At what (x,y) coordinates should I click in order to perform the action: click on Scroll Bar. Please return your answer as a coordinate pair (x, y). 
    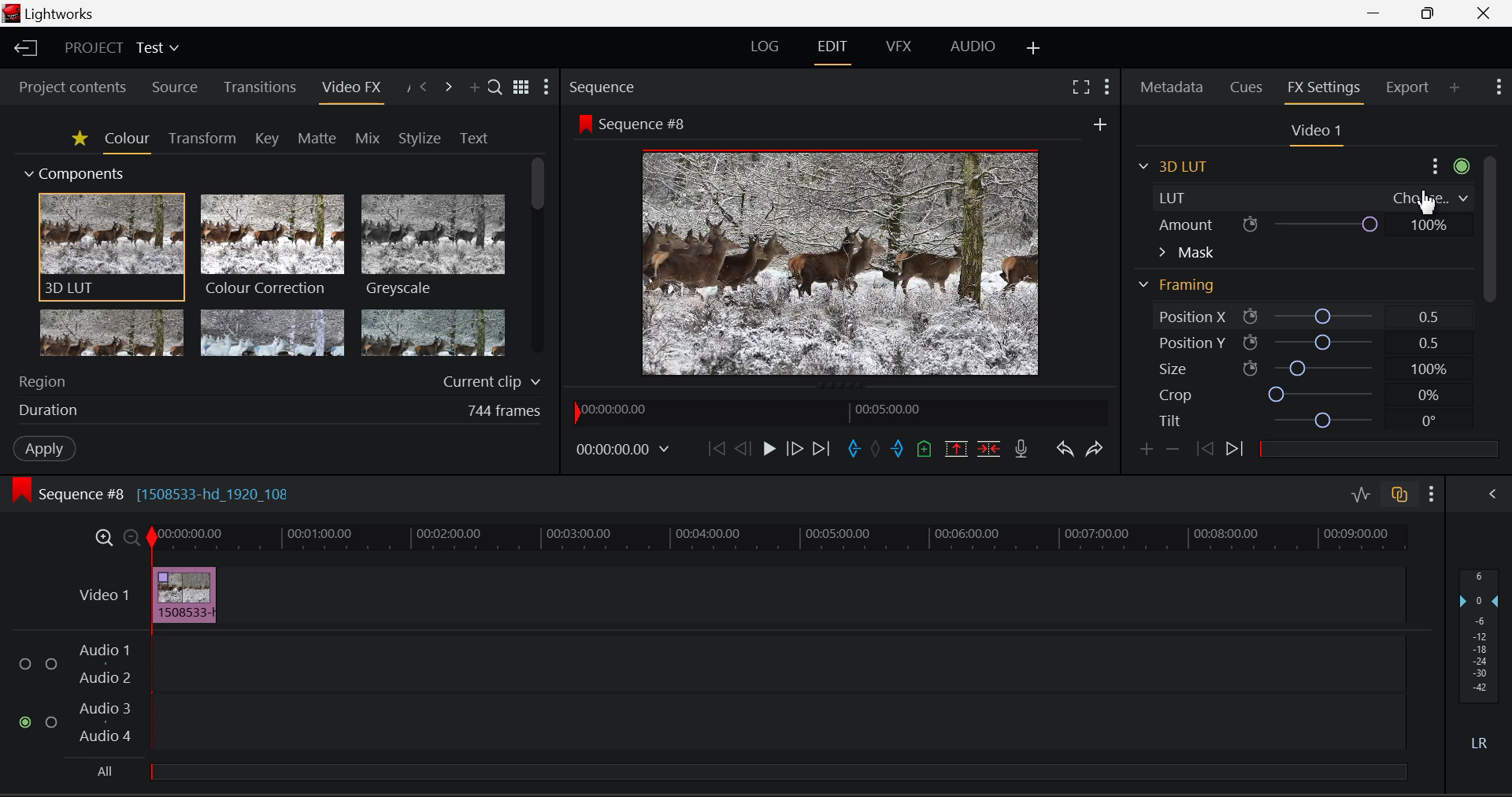
    Looking at the image, I should click on (1492, 289).